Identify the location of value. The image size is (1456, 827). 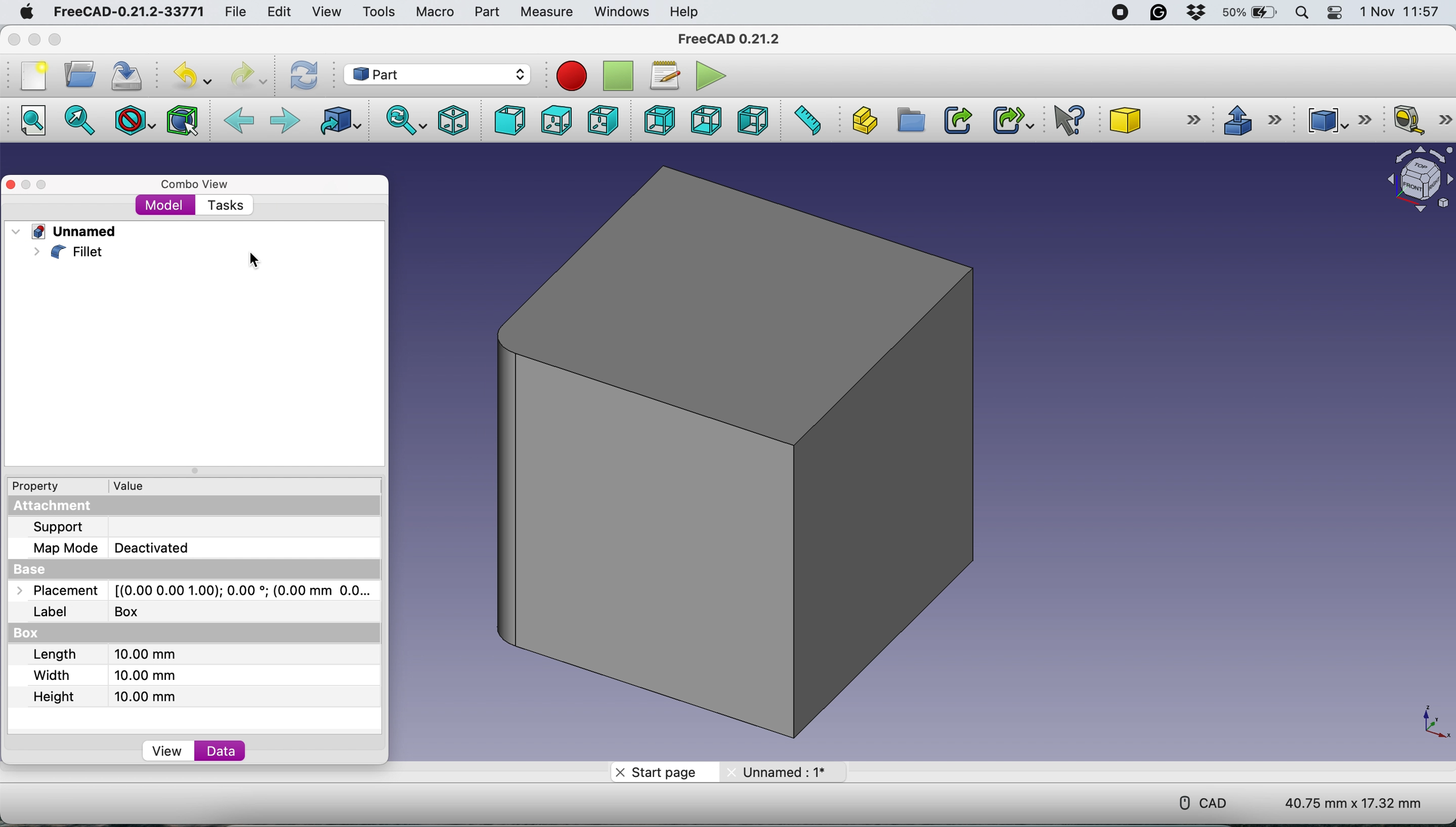
(138, 485).